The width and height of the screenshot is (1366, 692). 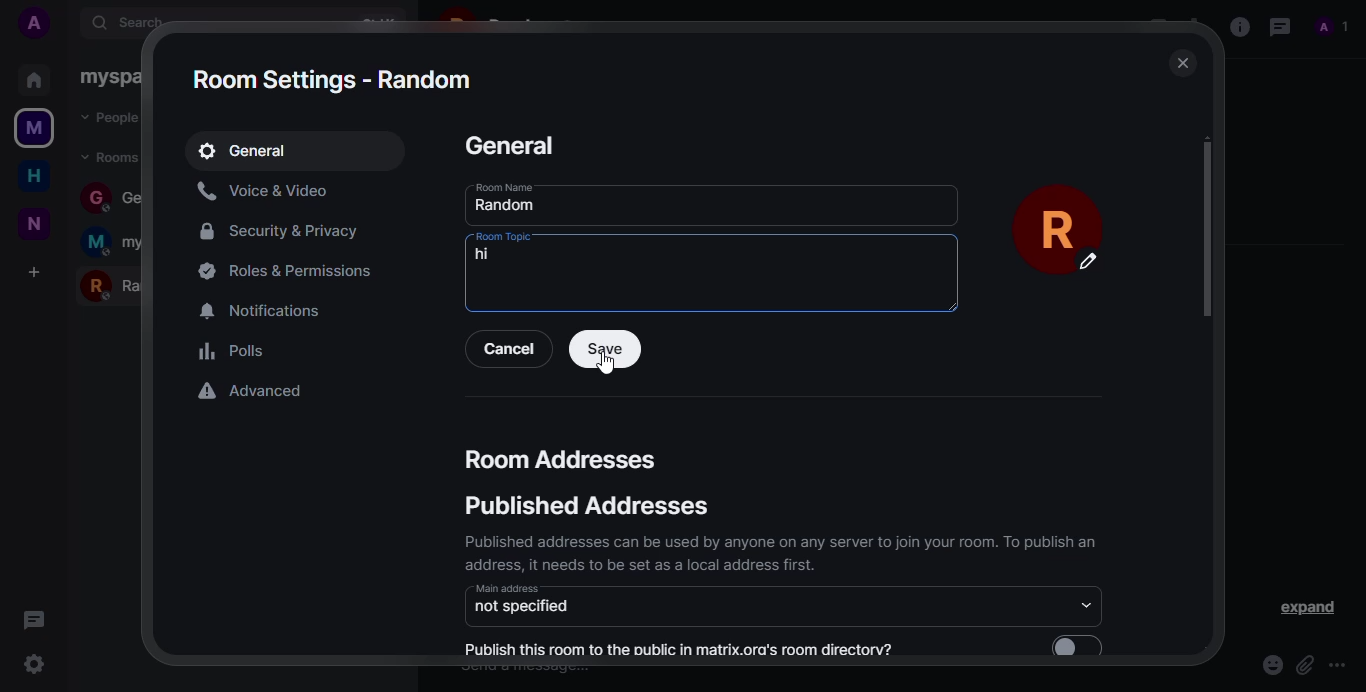 What do you see at coordinates (500, 186) in the screenshot?
I see `room name` at bounding box center [500, 186].